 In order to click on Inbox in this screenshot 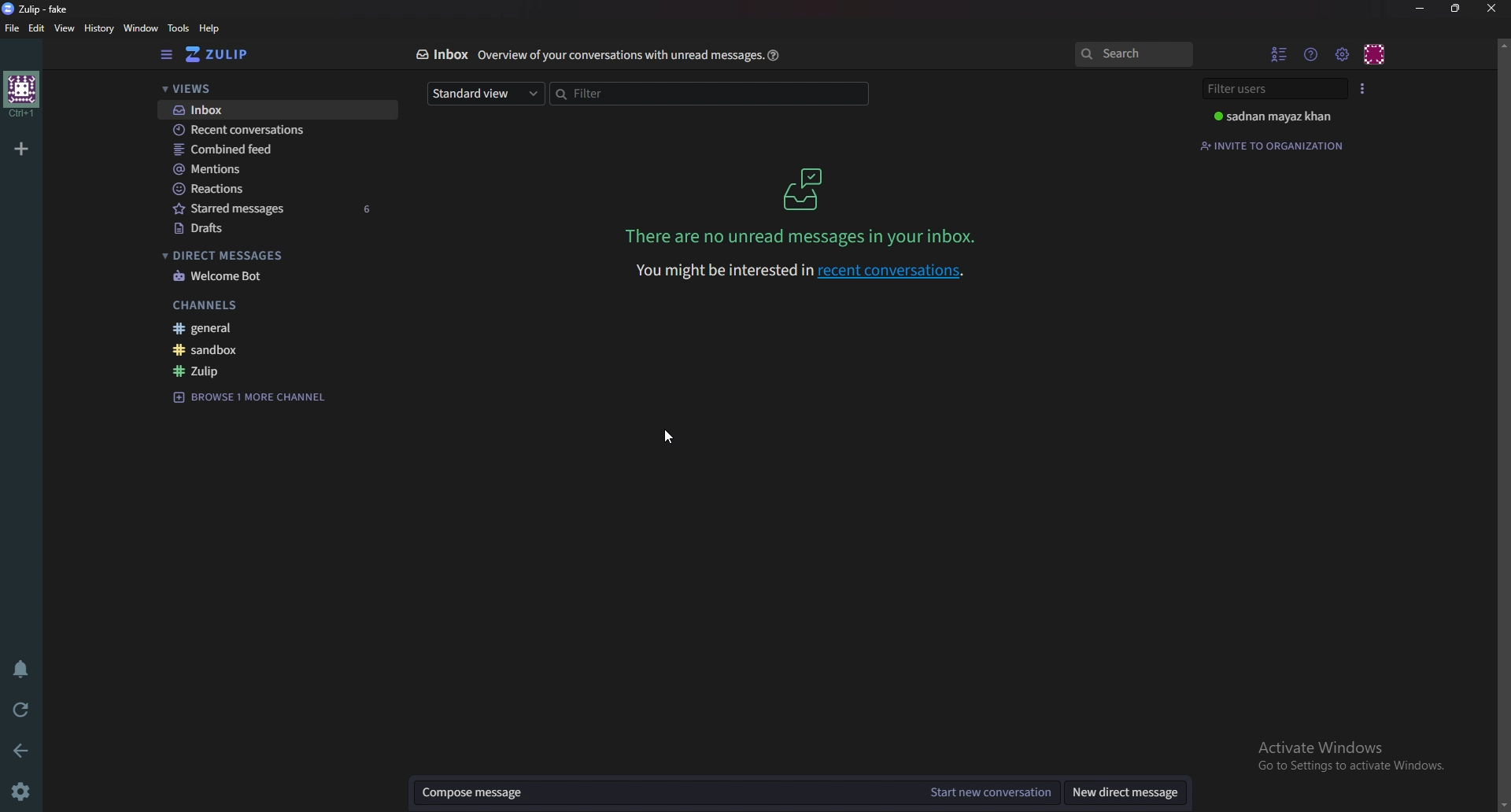, I will do `click(441, 54)`.